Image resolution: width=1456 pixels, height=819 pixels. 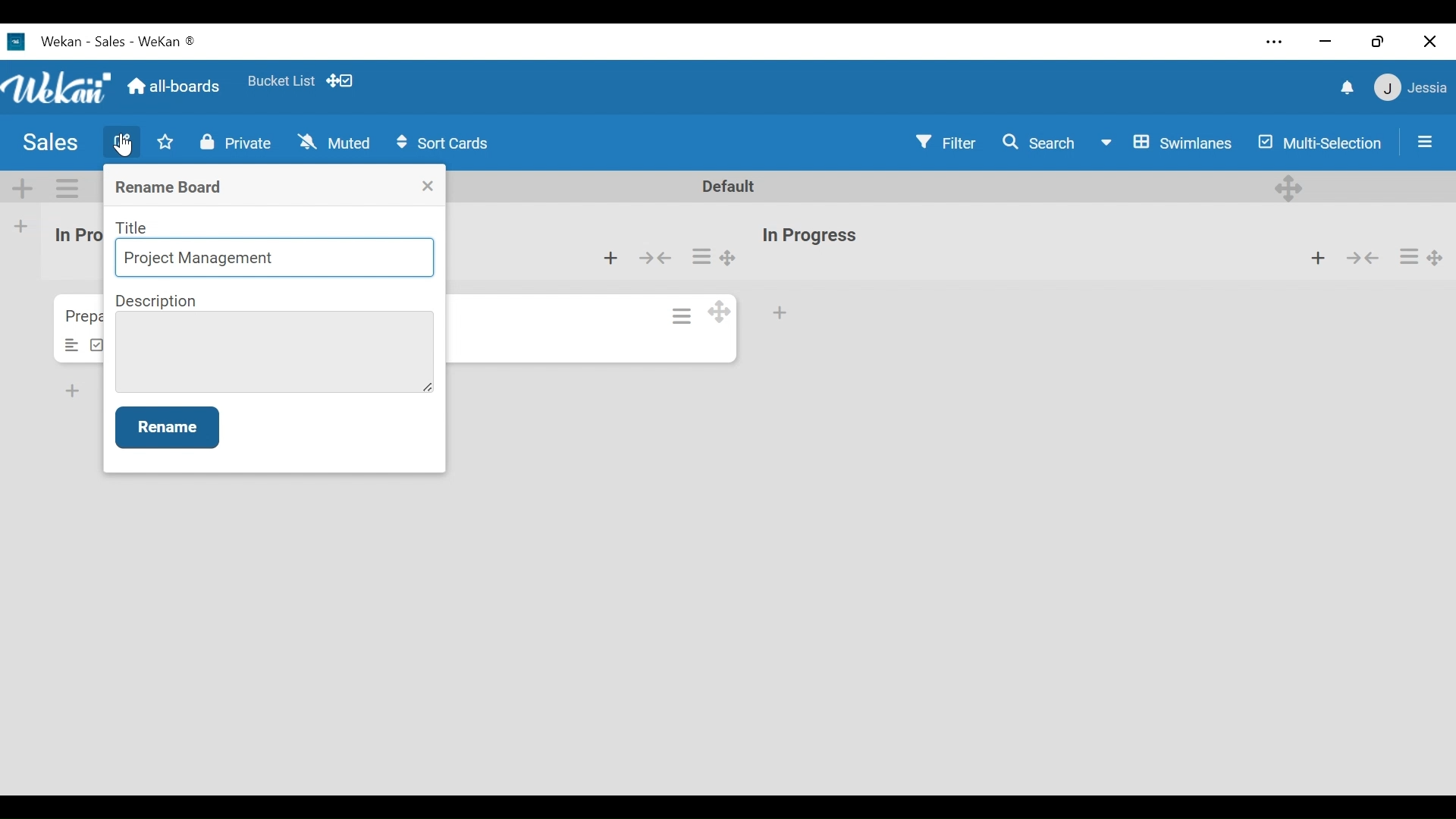 What do you see at coordinates (133, 227) in the screenshot?
I see `Title` at bounding box center [133, 227].